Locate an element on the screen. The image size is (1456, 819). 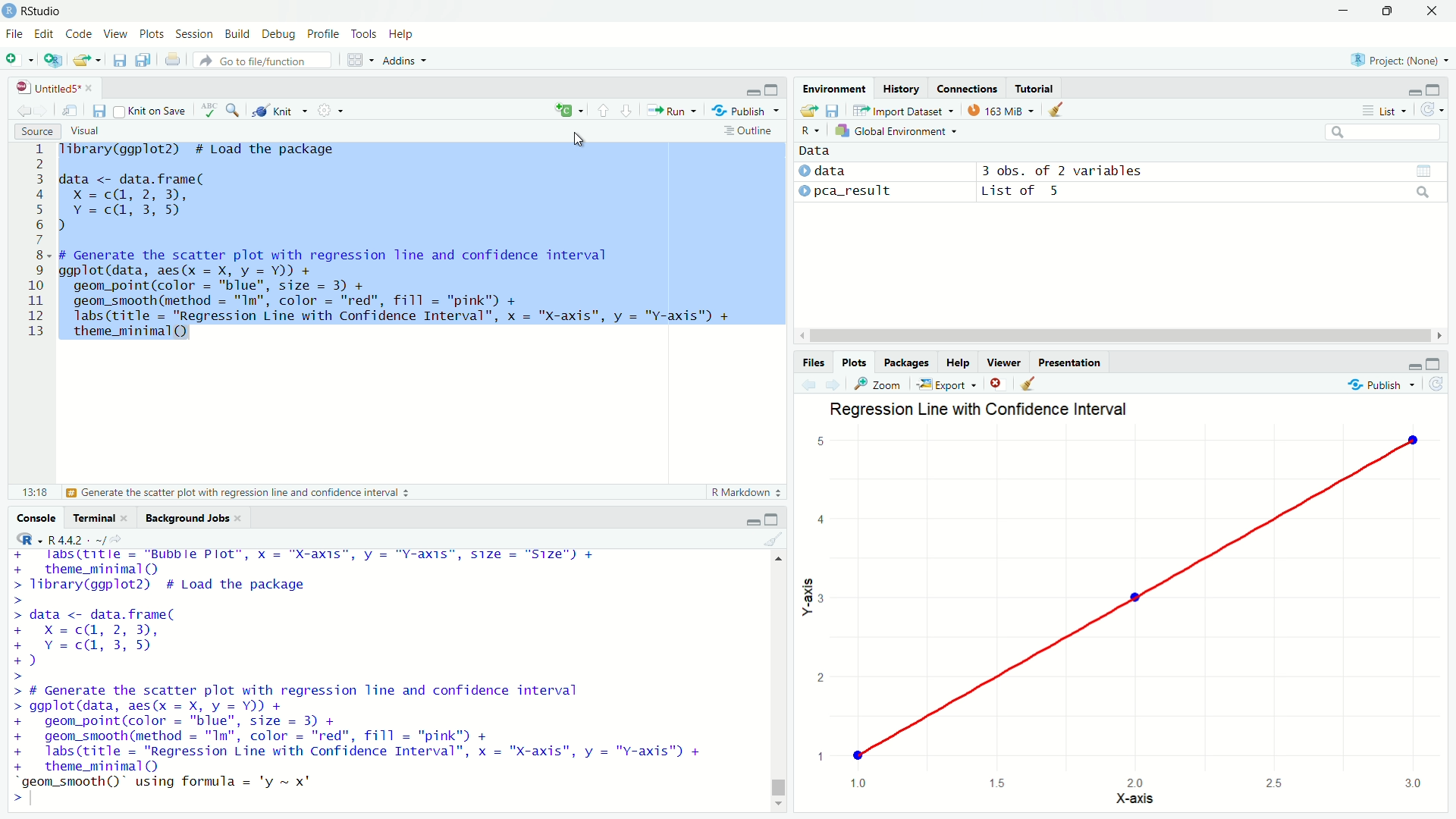
X-axis is located at coordinates (1133, 798).